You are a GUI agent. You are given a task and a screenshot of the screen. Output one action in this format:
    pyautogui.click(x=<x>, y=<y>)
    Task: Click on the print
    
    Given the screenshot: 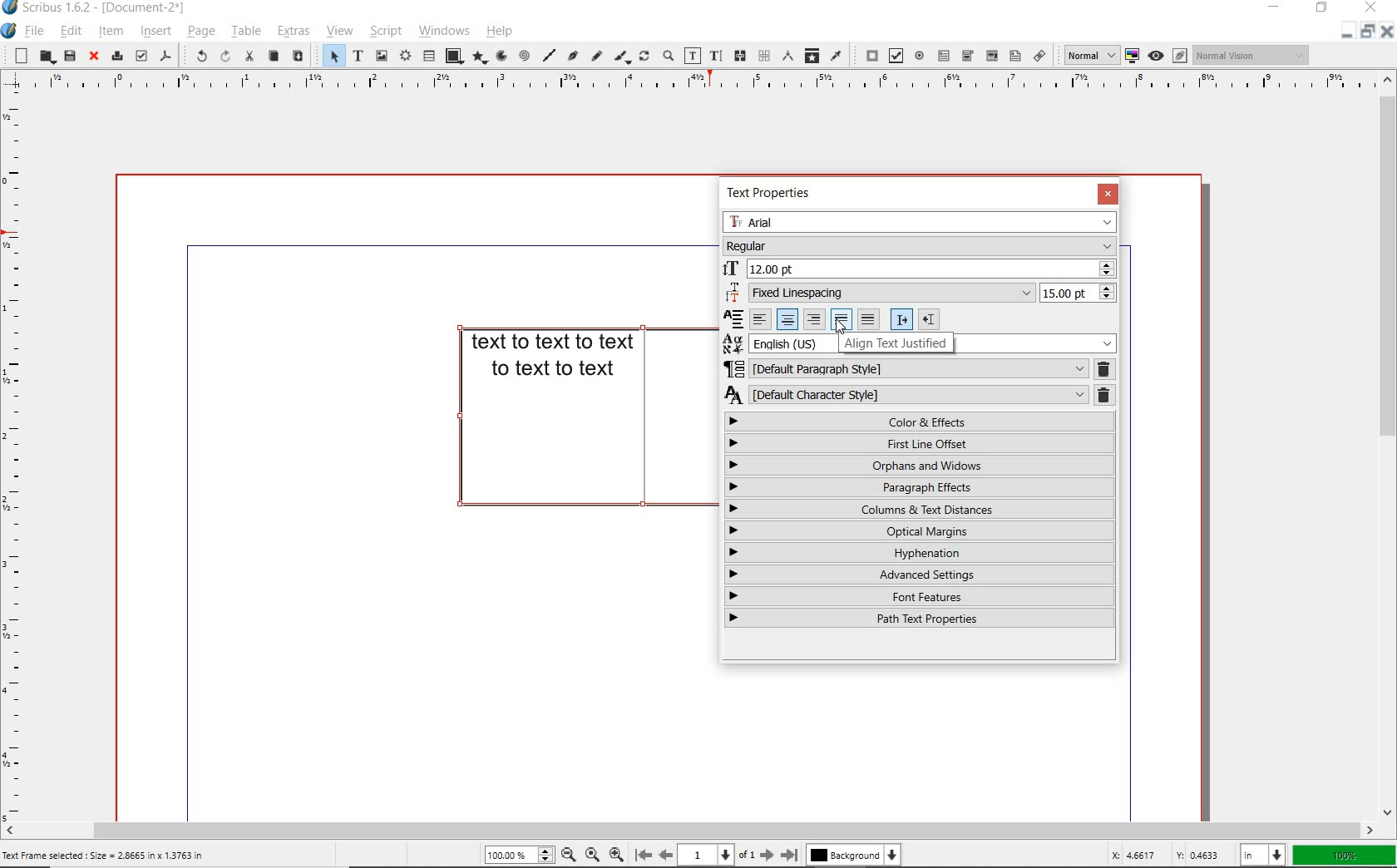 What is the action you would take?
    pyautogui.click(x=116, y=57)
    